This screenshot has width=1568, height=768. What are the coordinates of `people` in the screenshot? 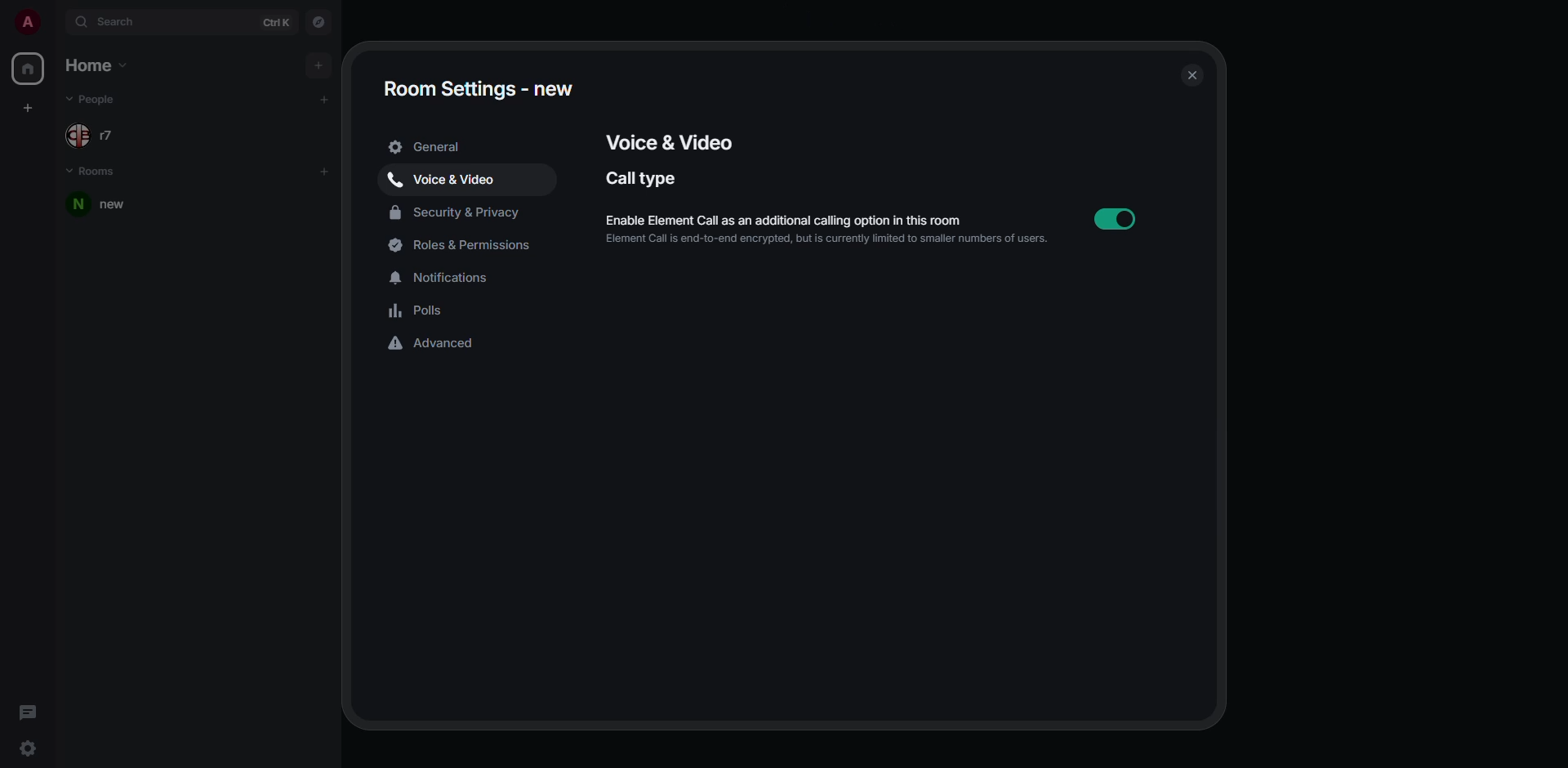 It's located at (100, 97).